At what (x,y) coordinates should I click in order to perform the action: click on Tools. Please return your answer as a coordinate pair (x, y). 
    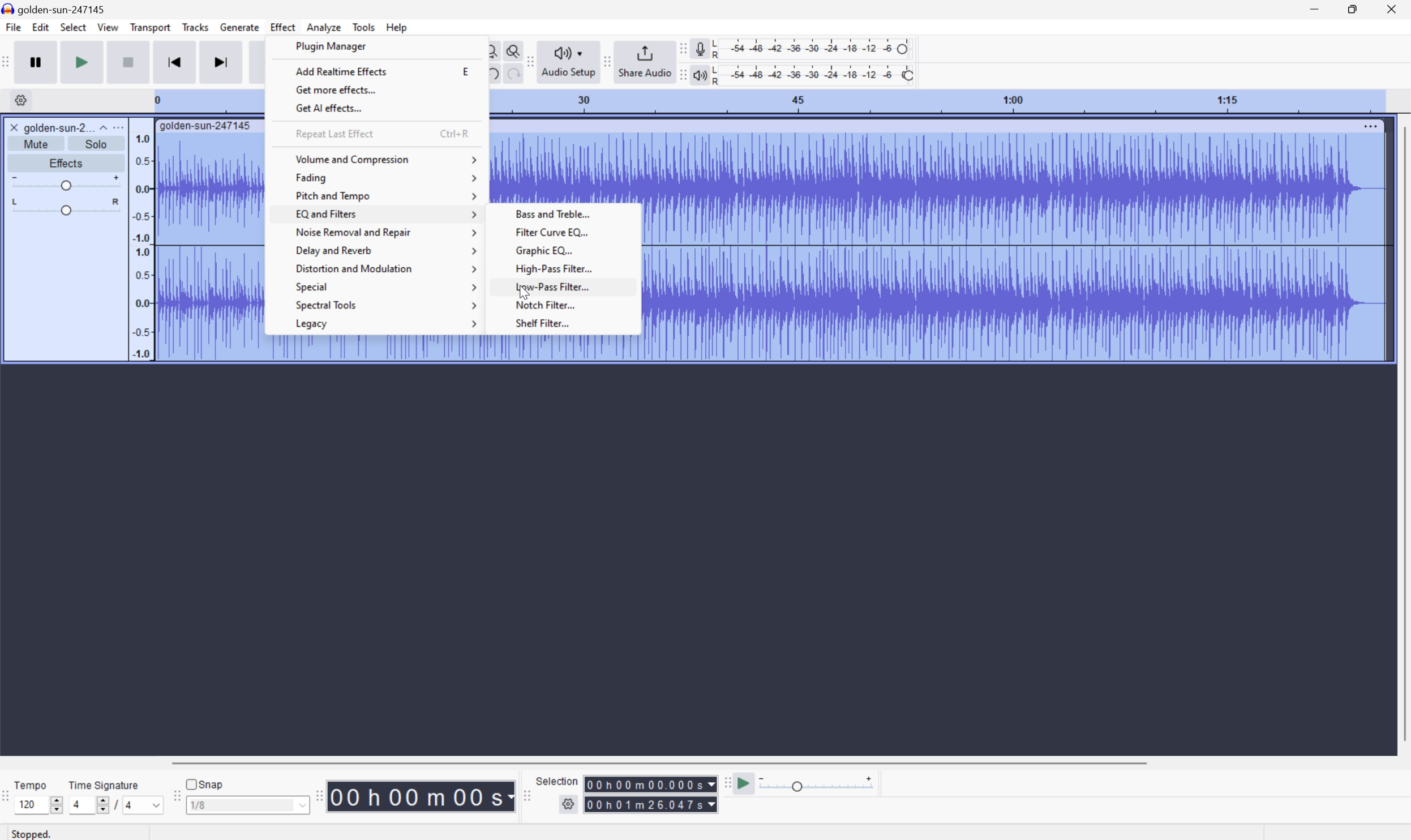
    Looking at the image, I should click on (363, 27).